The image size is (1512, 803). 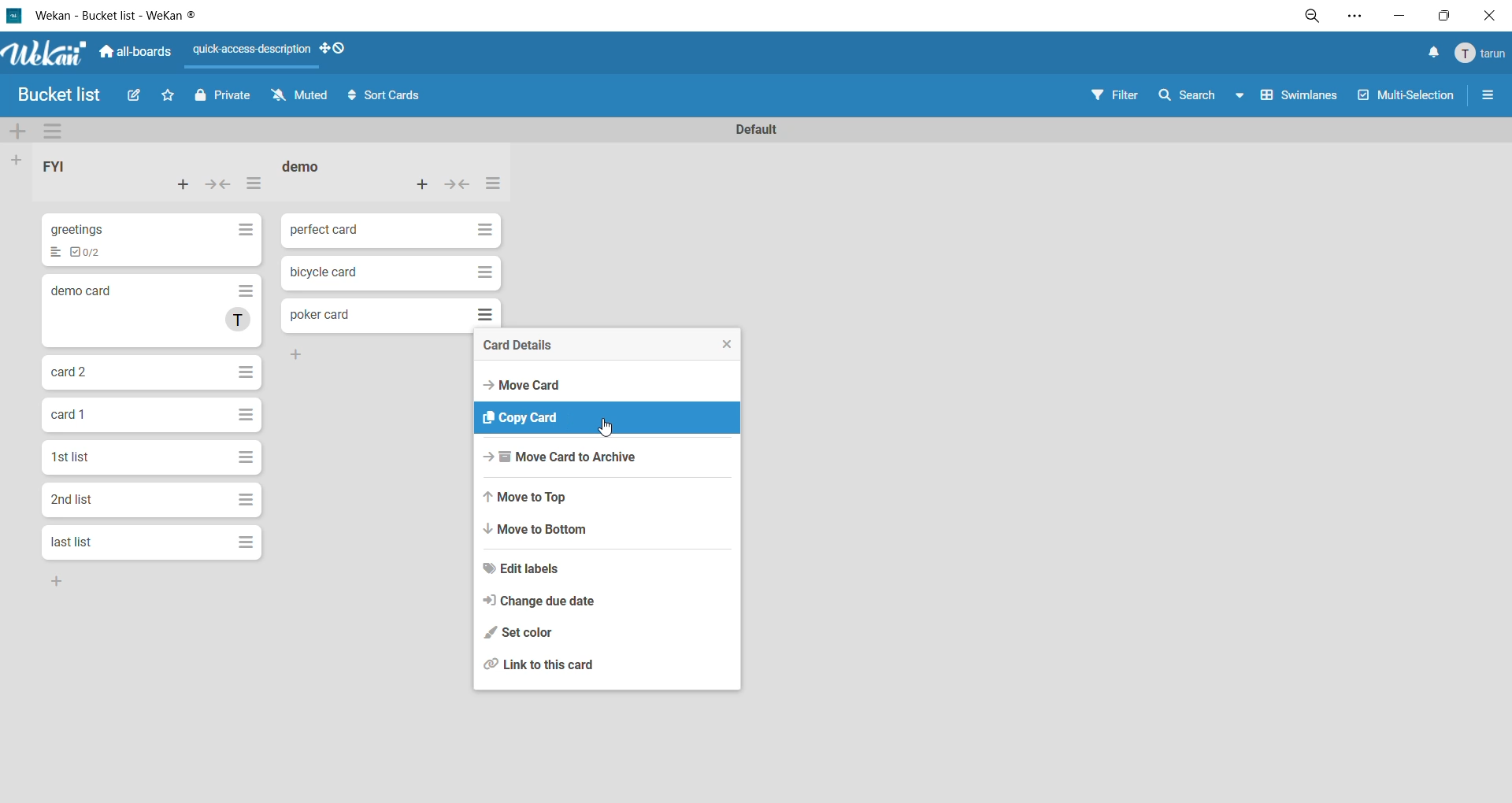 I want to click on muted, so click(x=302, y=98).